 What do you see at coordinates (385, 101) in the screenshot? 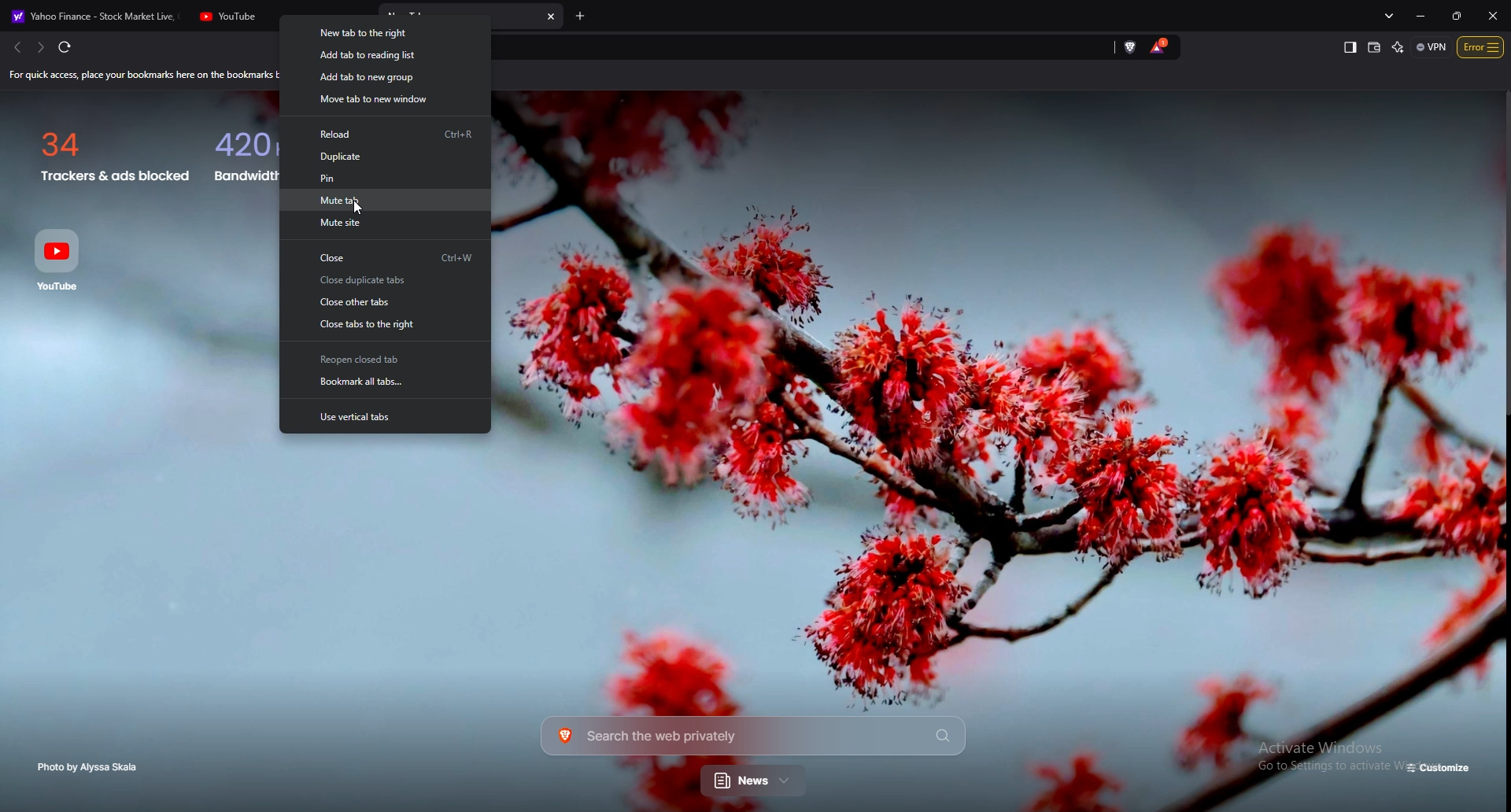
I see `move tab to new window` at bounding box center [385, 101].